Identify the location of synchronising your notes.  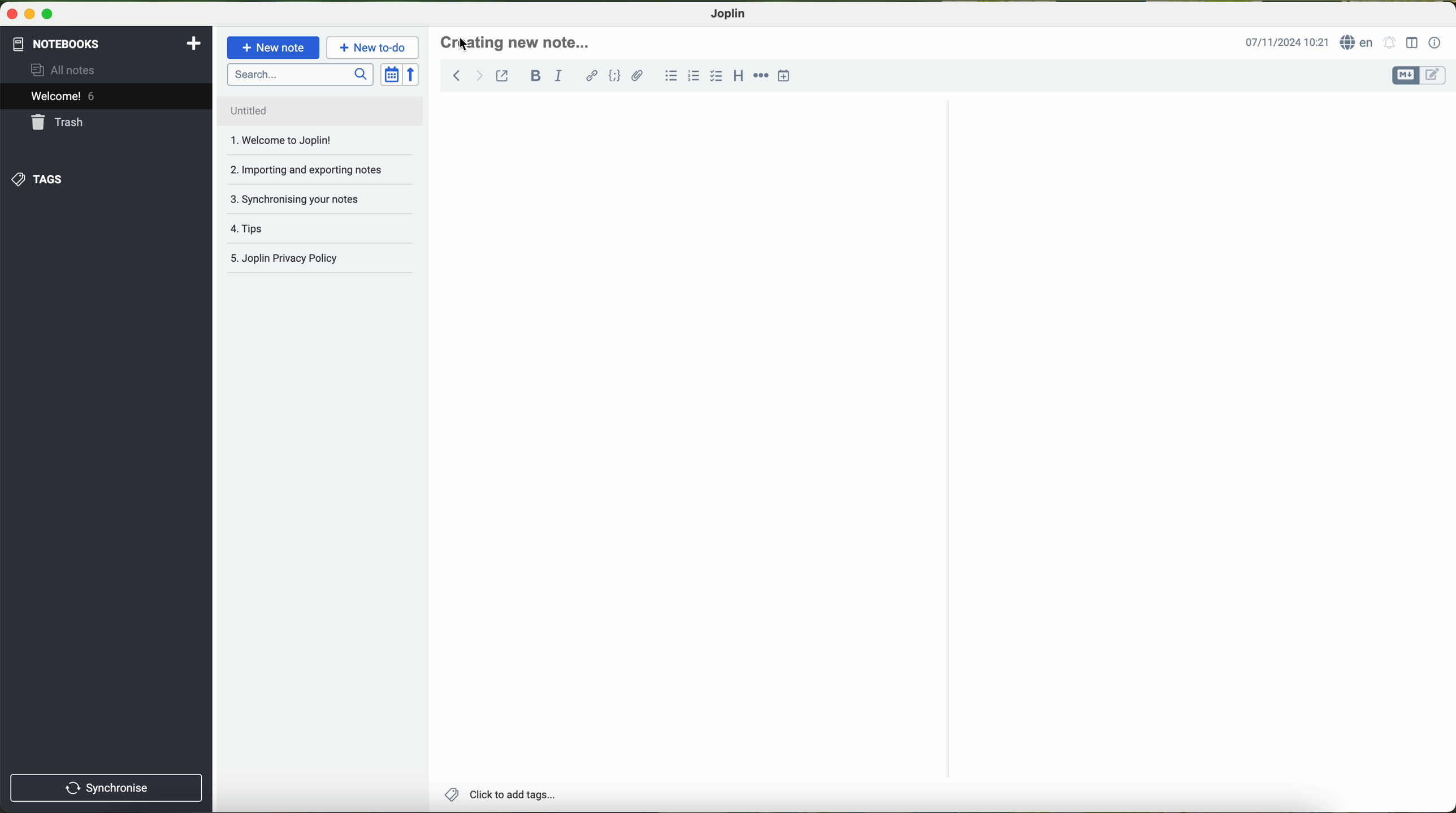
(324, 203).